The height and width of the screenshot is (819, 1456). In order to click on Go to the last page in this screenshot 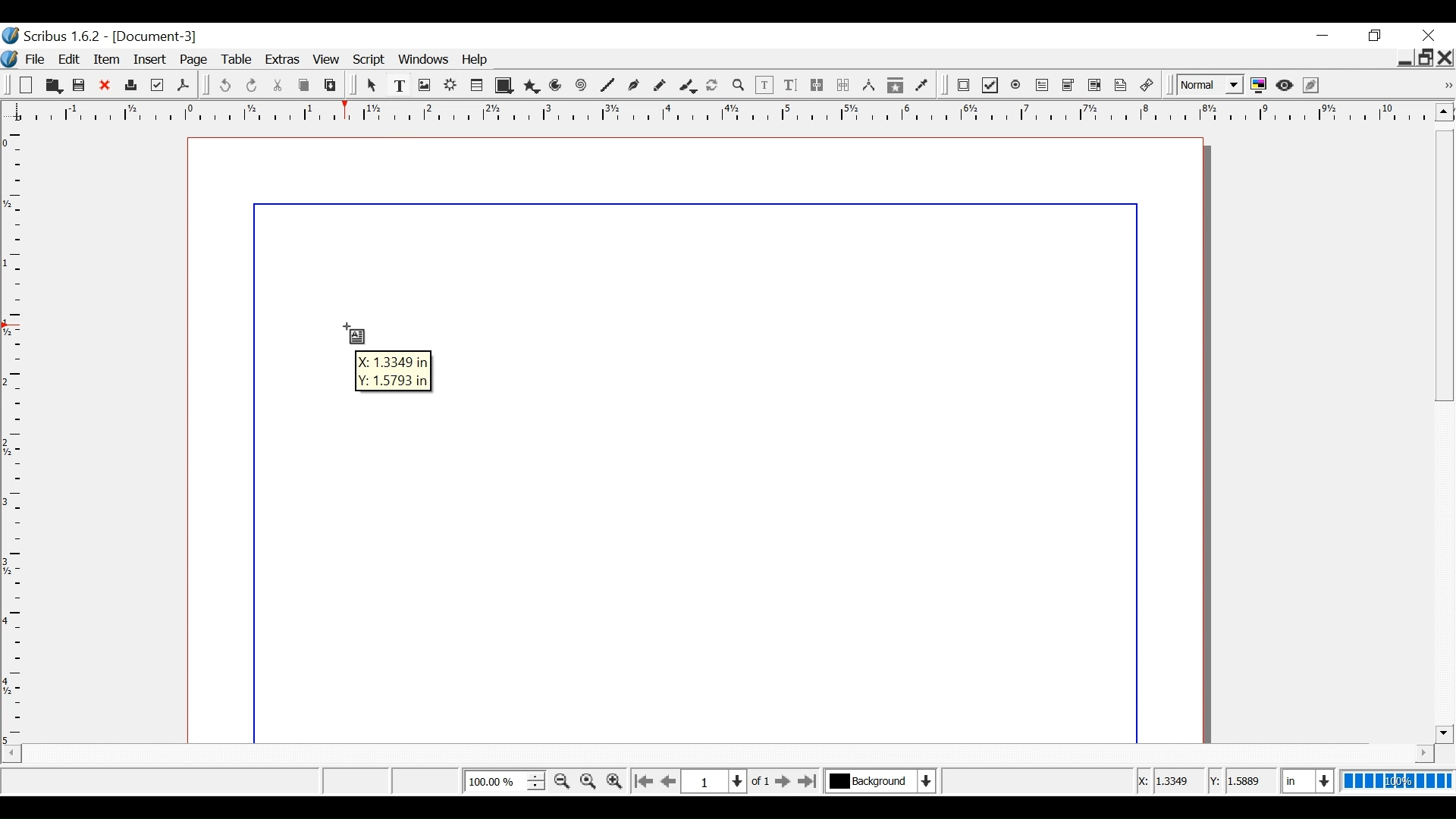, I will do `click(808, 780)`.